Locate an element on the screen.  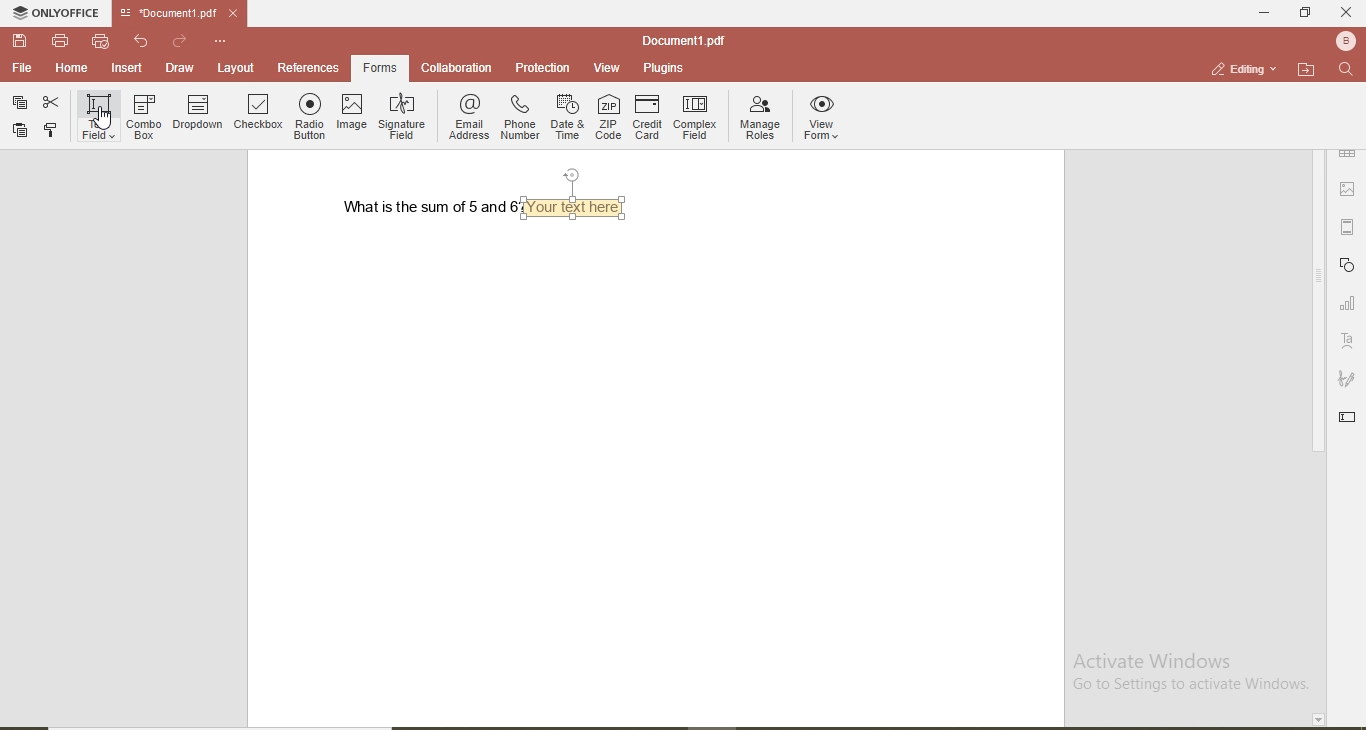
file name tab is located at coordinates (169, 11).